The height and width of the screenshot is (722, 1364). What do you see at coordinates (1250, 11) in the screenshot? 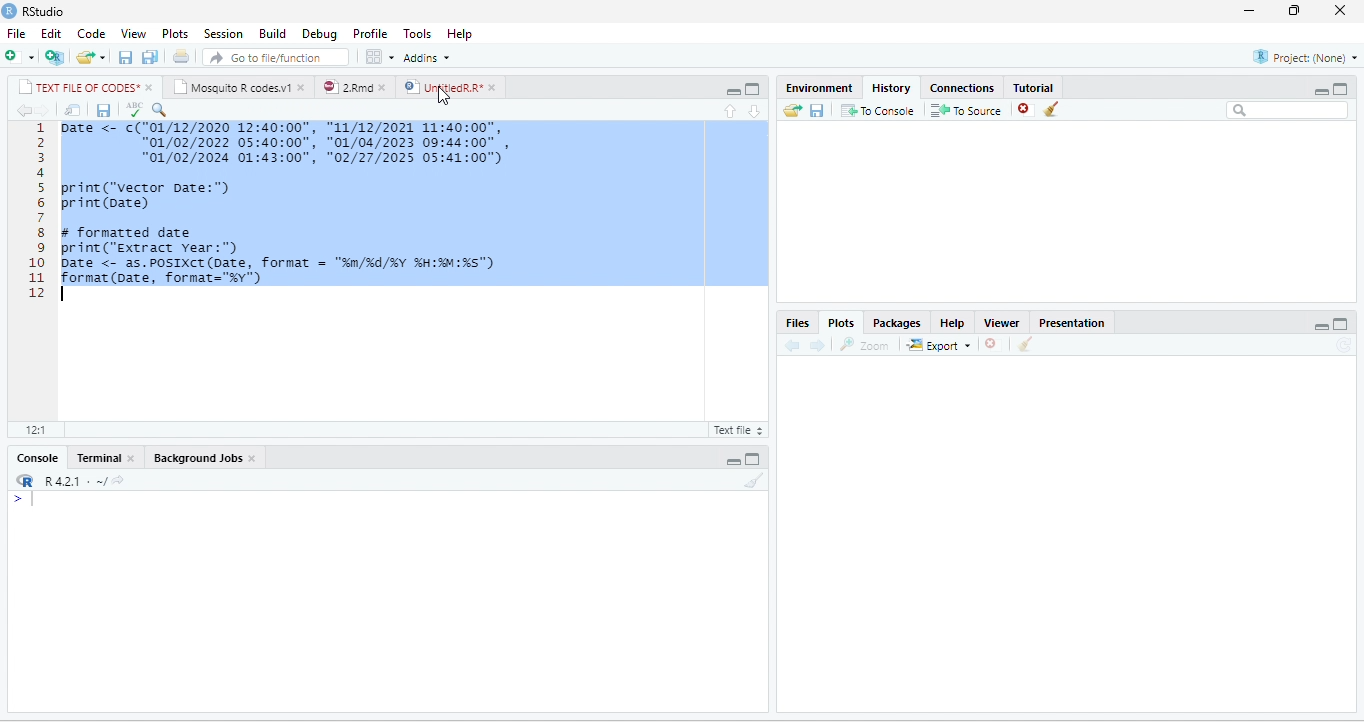
I see `minimize` at bounding box center [1250, 11].